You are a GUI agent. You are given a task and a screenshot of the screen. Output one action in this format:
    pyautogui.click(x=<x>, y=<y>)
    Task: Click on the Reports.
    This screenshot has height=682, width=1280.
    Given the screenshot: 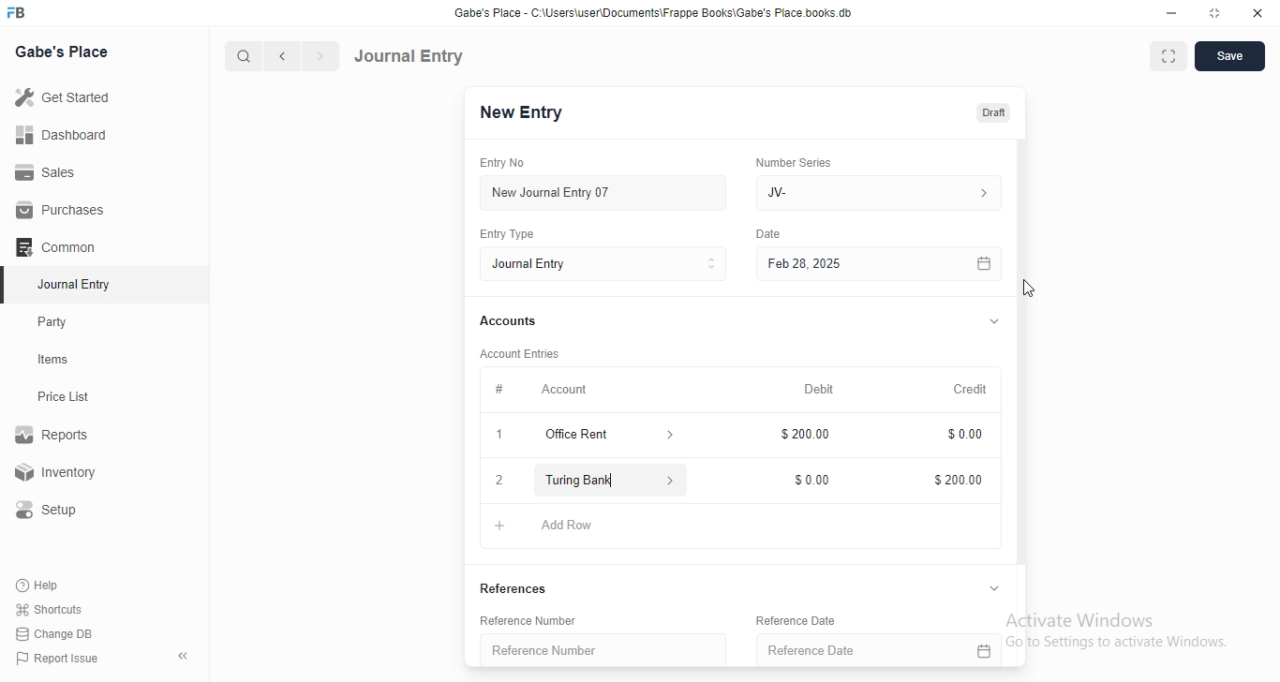 What is the action you would take?
    pyautogui.click(x=55, y=438)
    